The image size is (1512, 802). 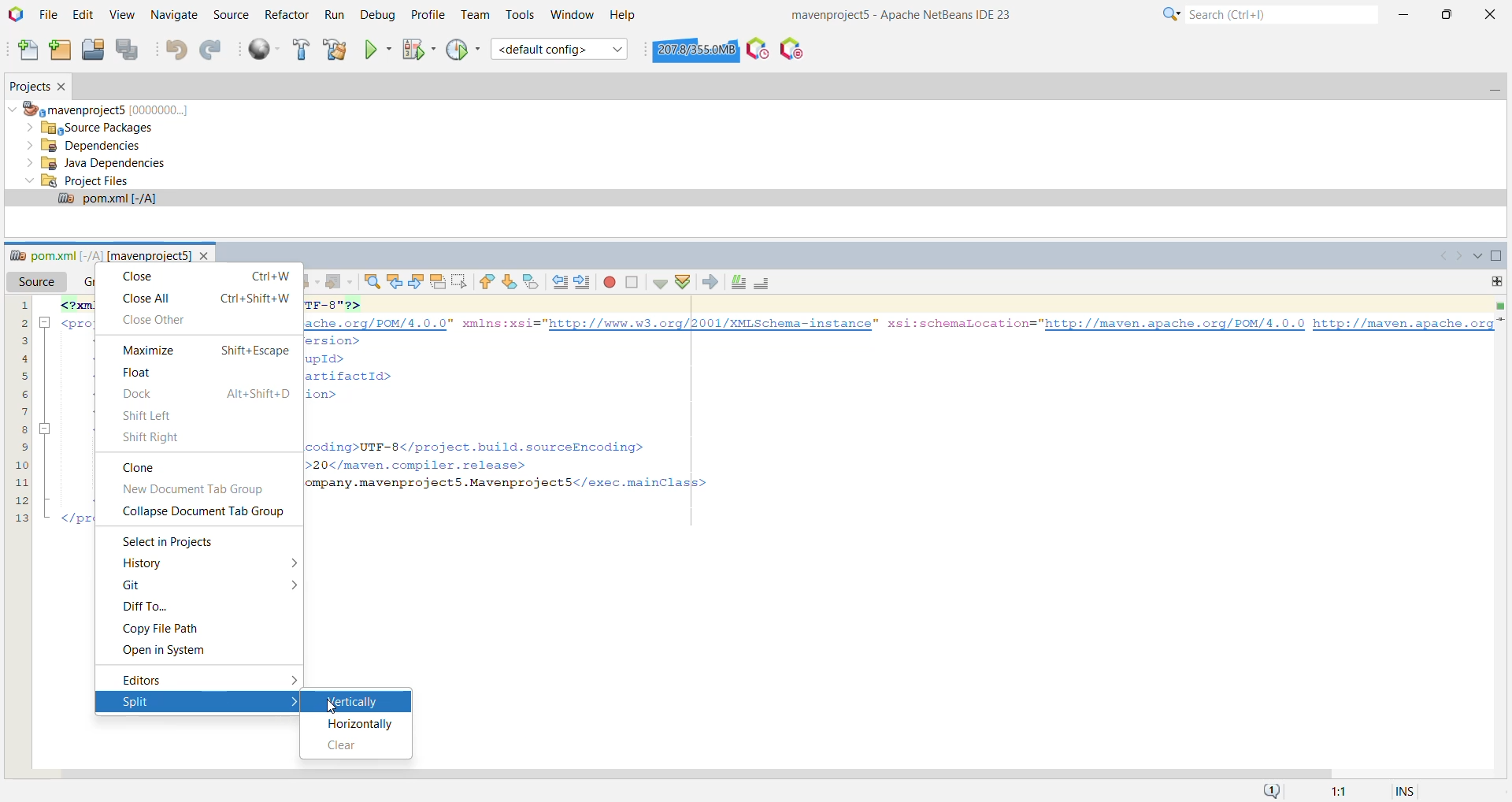 What do you see at coordinates (200, 350) in the screenshot?
I see `Maximize` at bounding box center [200, 350].